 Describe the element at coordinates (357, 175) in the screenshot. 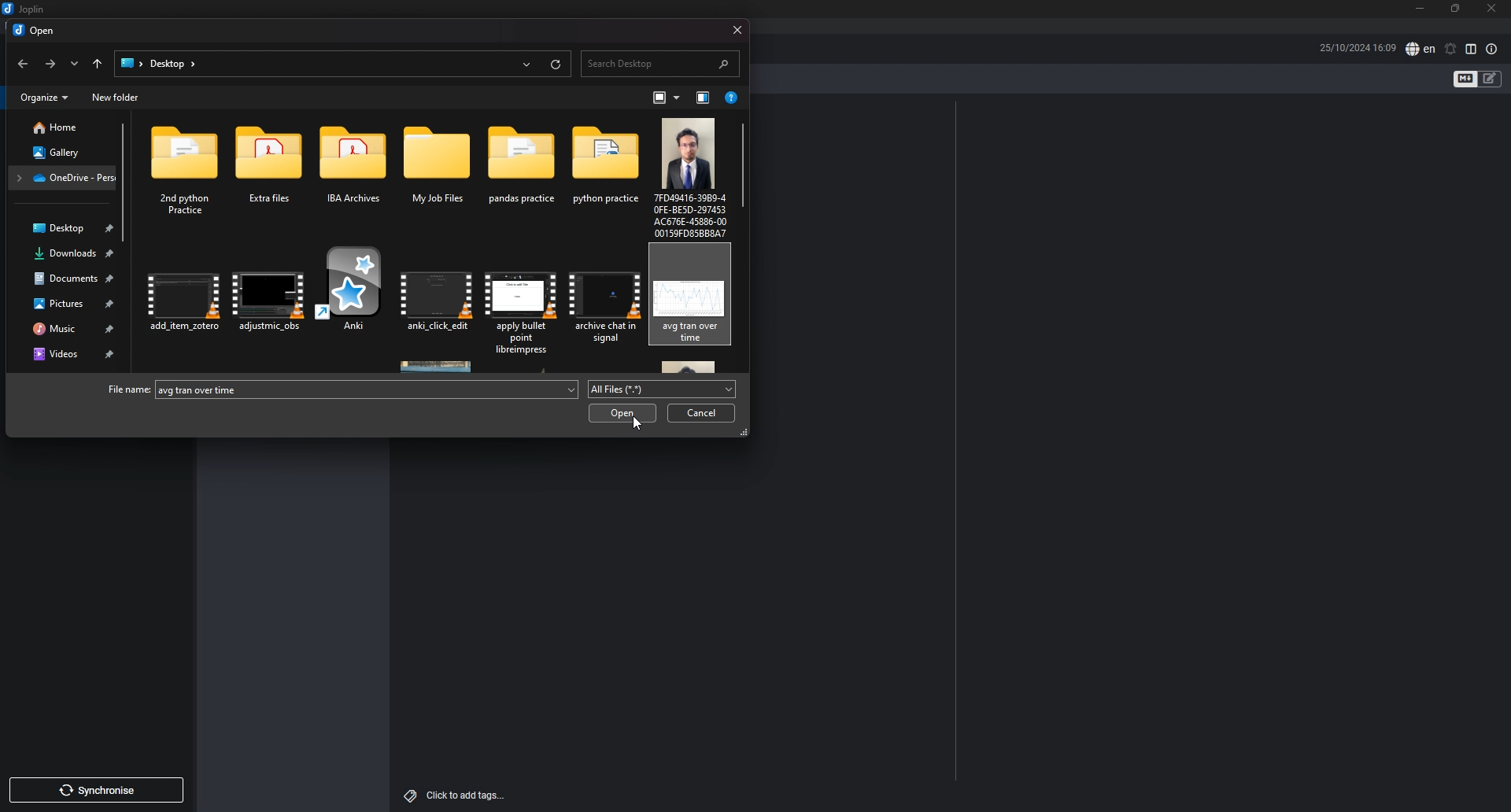

I see `IBA archieves` at that location.